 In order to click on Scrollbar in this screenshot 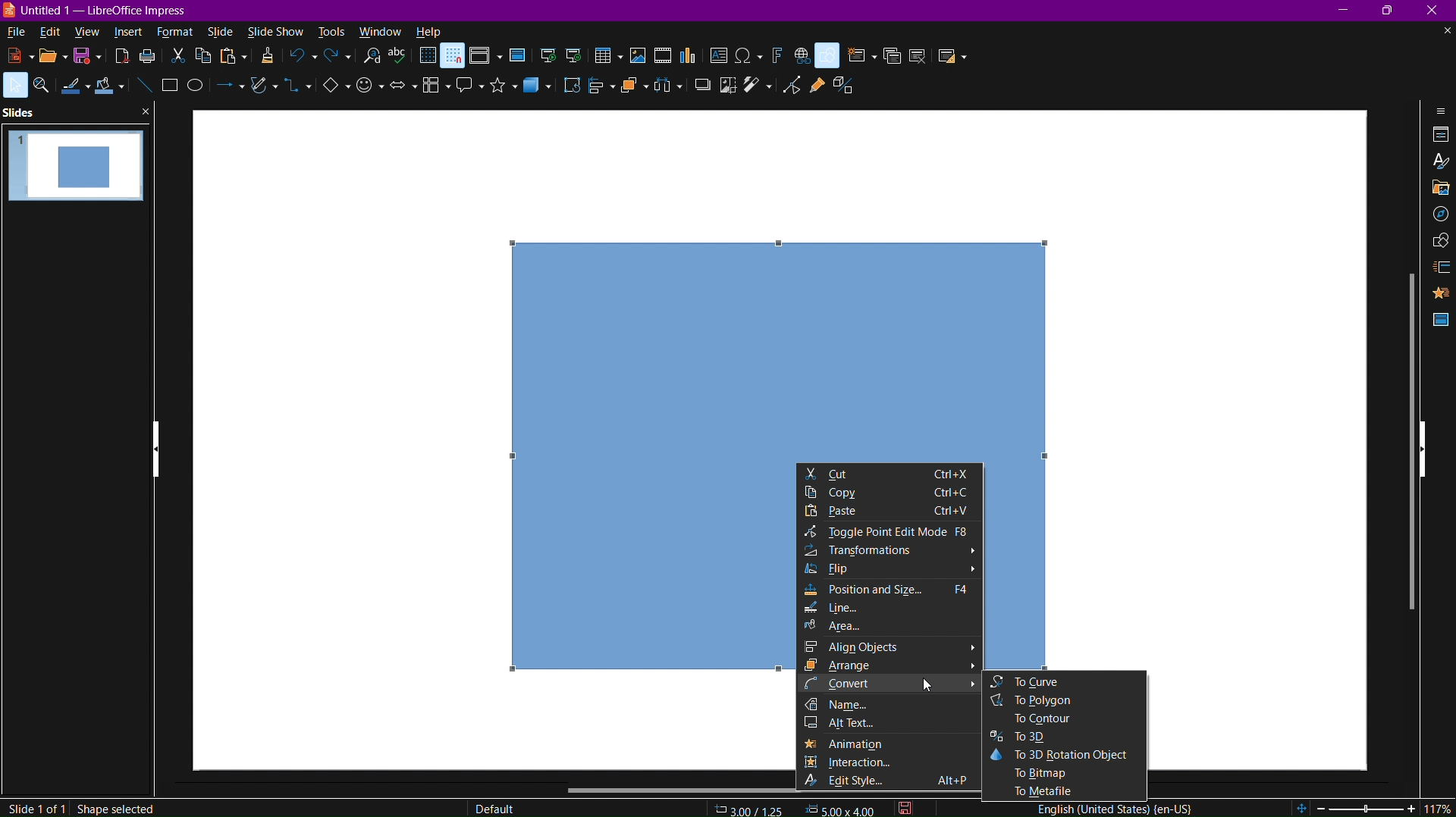, I will do `click(1405, 438)`.